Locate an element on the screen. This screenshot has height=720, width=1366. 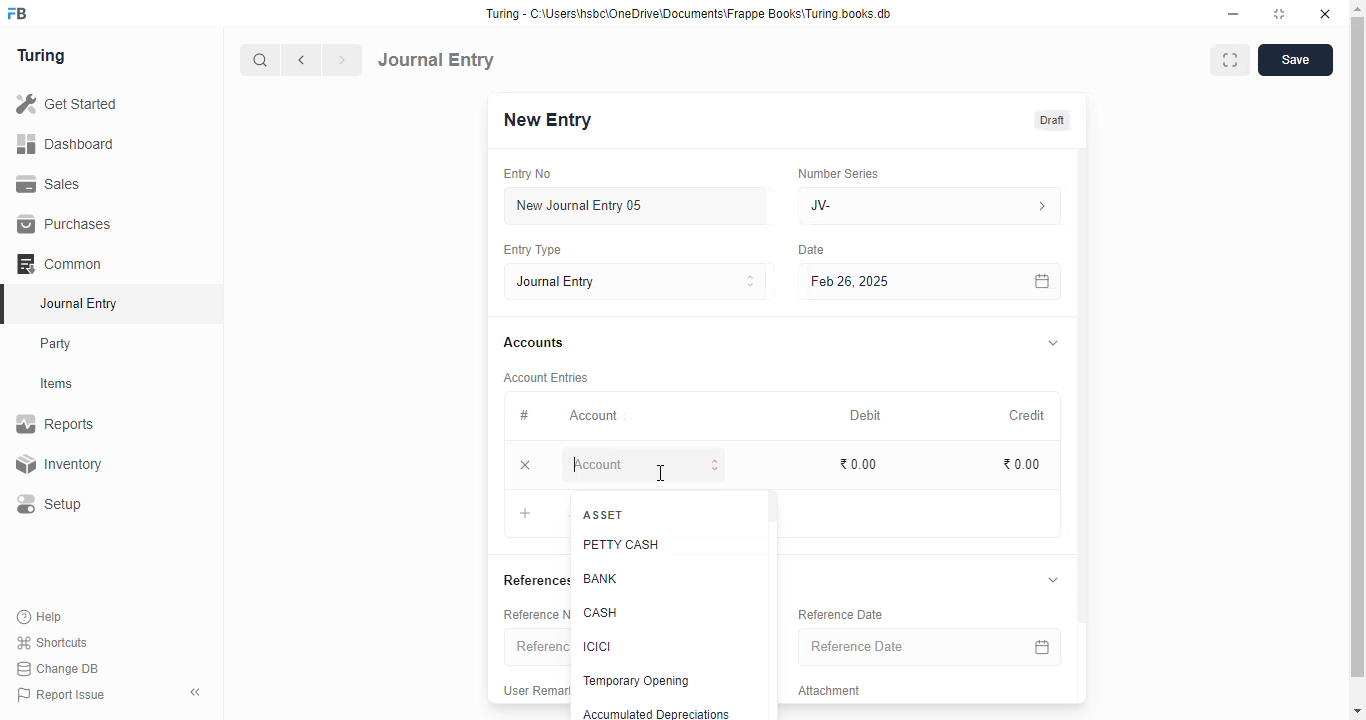
user remark is located at coordinates (536, 690).